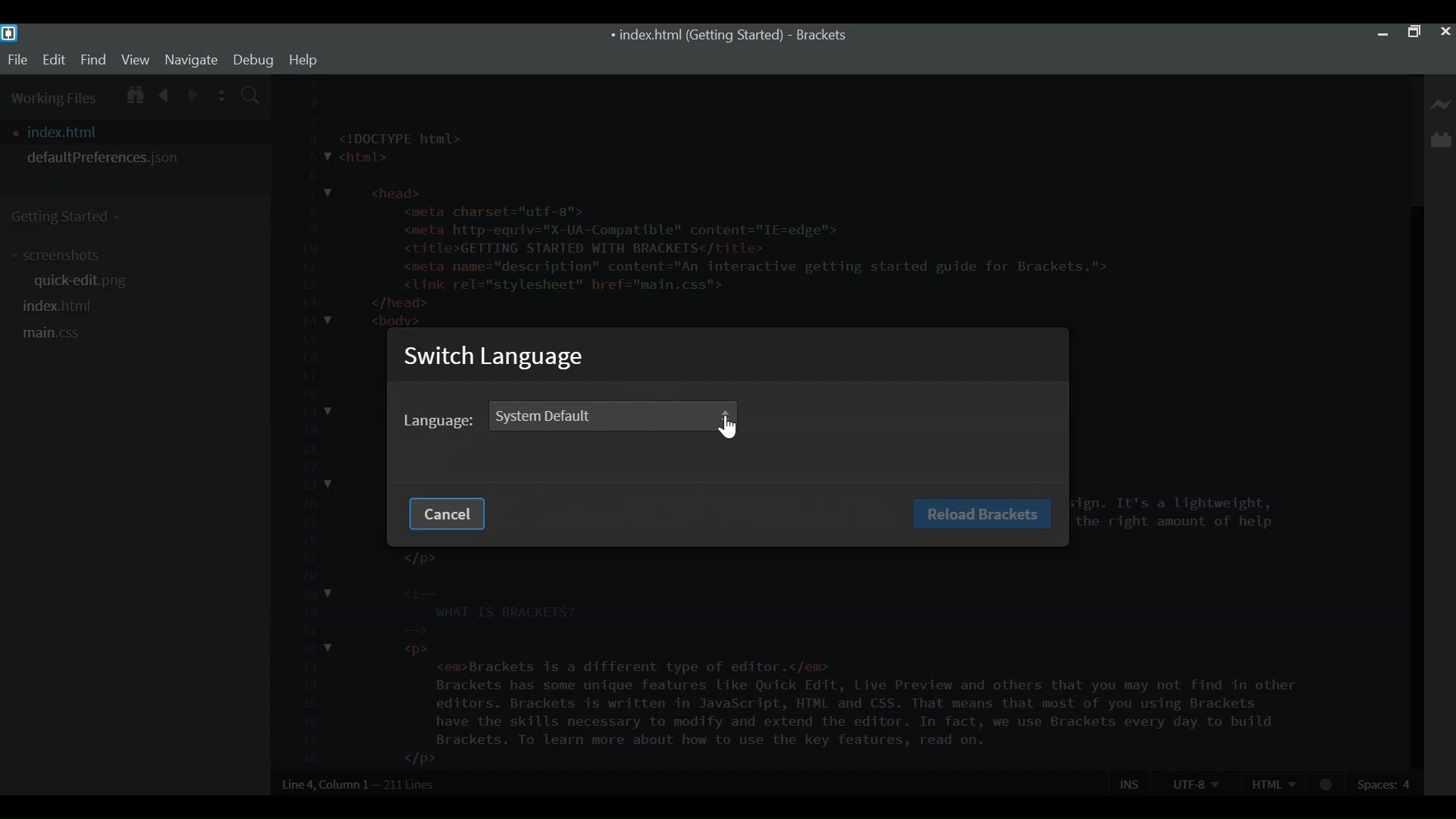  Describe the element at coordinates (252, 97) in the screenshot. I see `Find in Files` at that location.